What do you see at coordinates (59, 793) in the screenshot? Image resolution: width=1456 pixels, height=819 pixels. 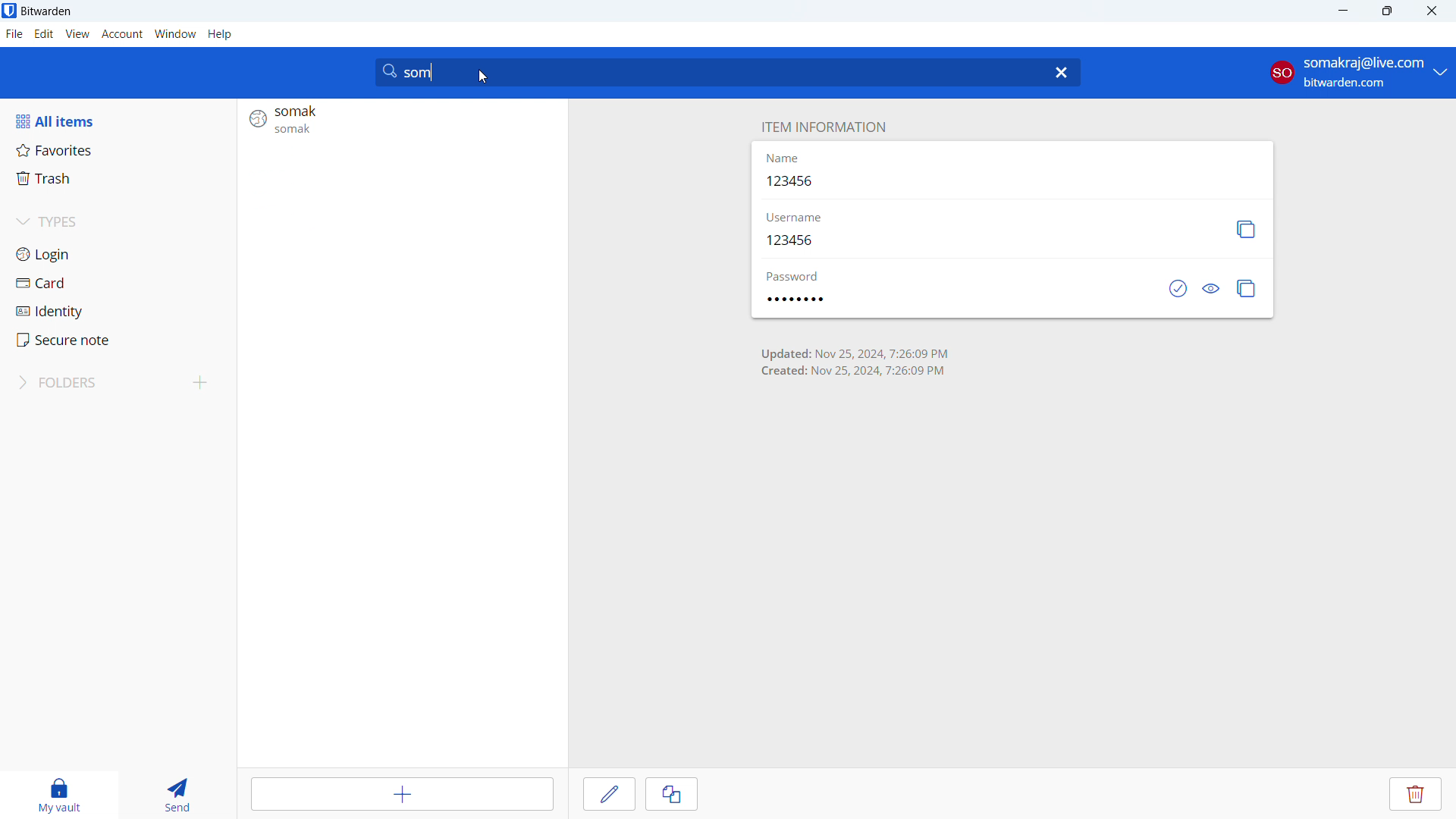 I see `my vault` at bounding box center [59, 793].